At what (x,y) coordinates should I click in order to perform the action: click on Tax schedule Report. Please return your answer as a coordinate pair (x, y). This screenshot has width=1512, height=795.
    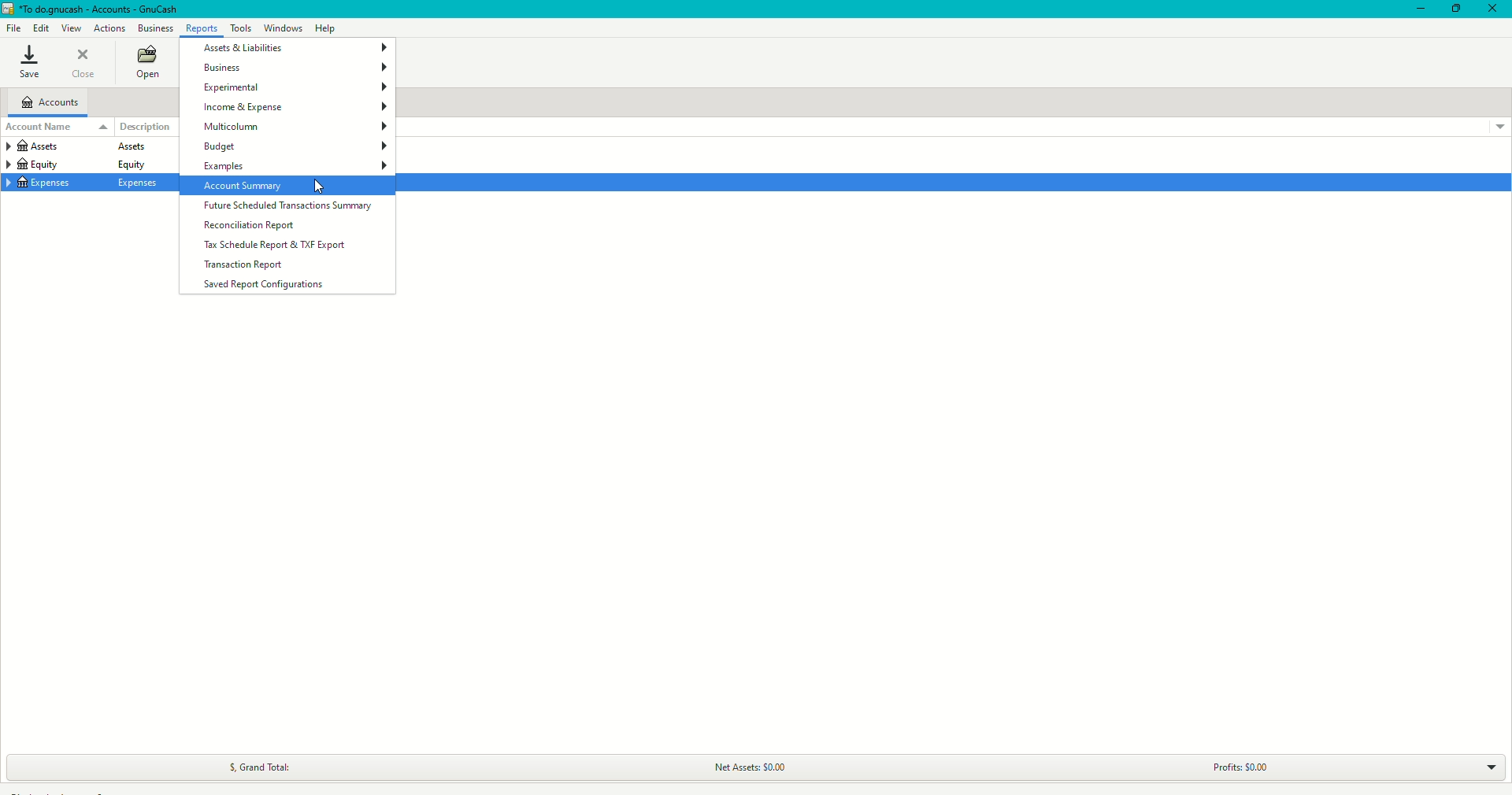
    Looking at the image, I should click on (271, 245).